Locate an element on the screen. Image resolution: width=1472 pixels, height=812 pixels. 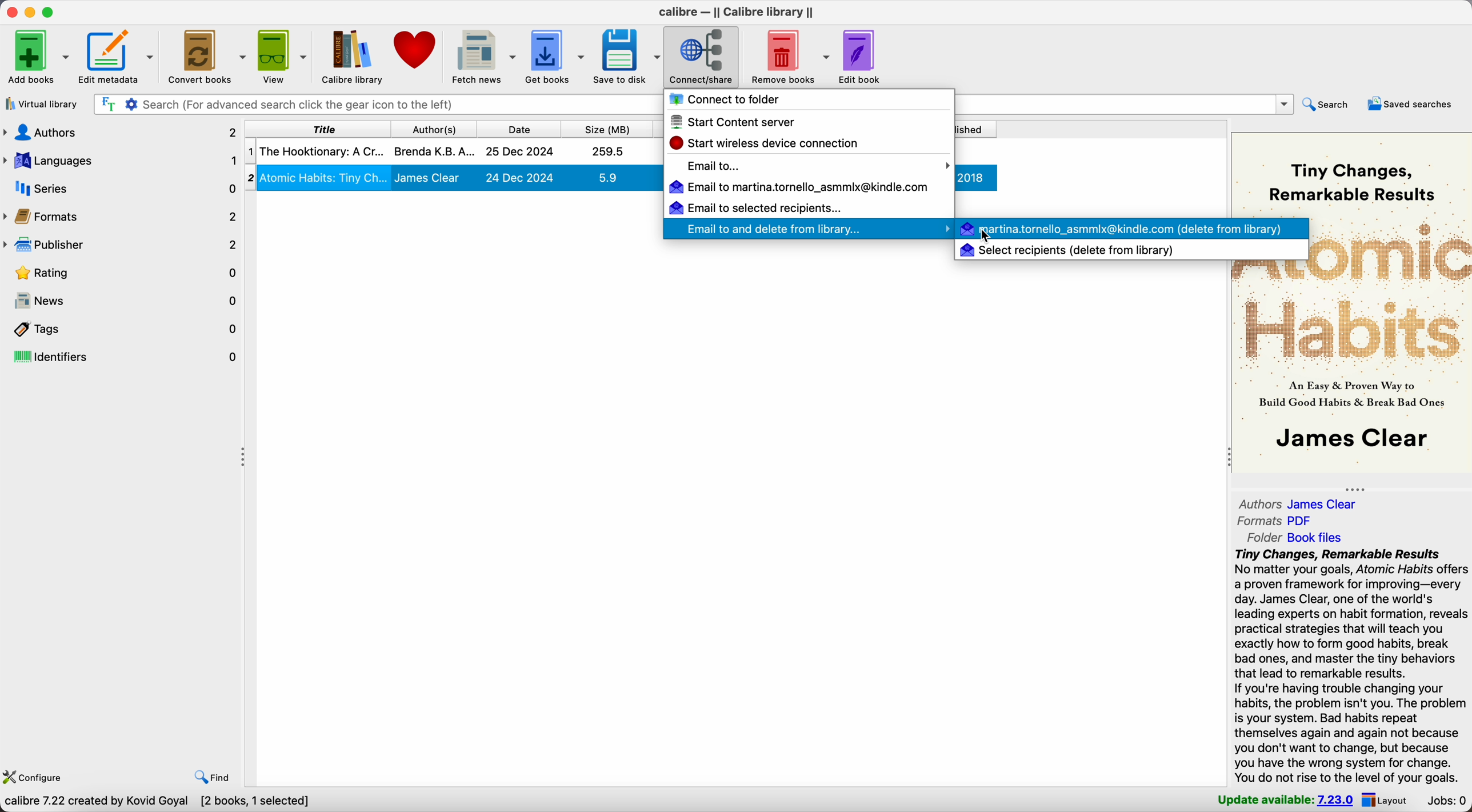
Add books is located at coordinates (38, 56).